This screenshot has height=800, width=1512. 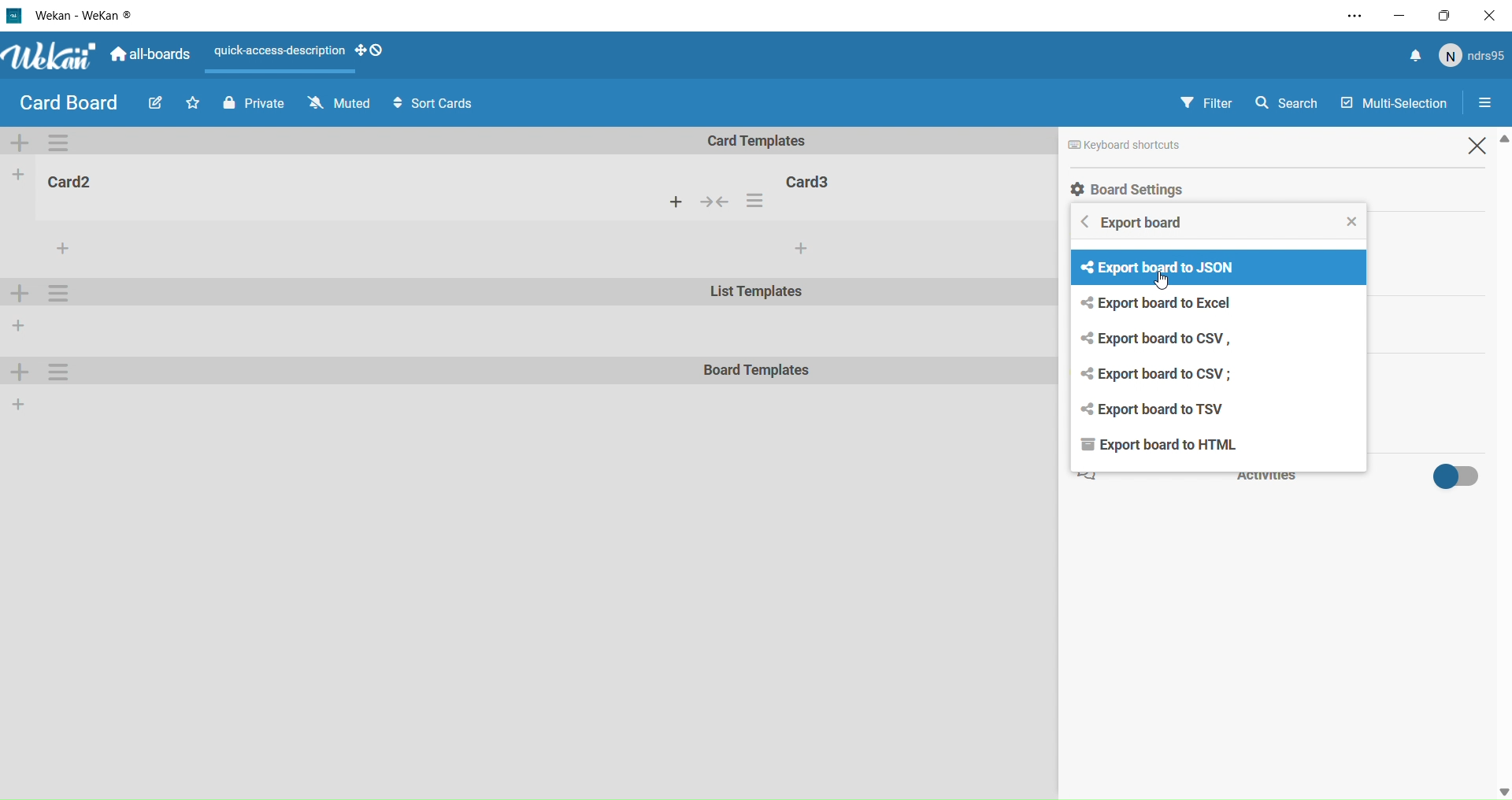 What do you see at coordinates (1188, 188) in the screenshot?
I see `Board settings` at bounding box center [1188, 188].